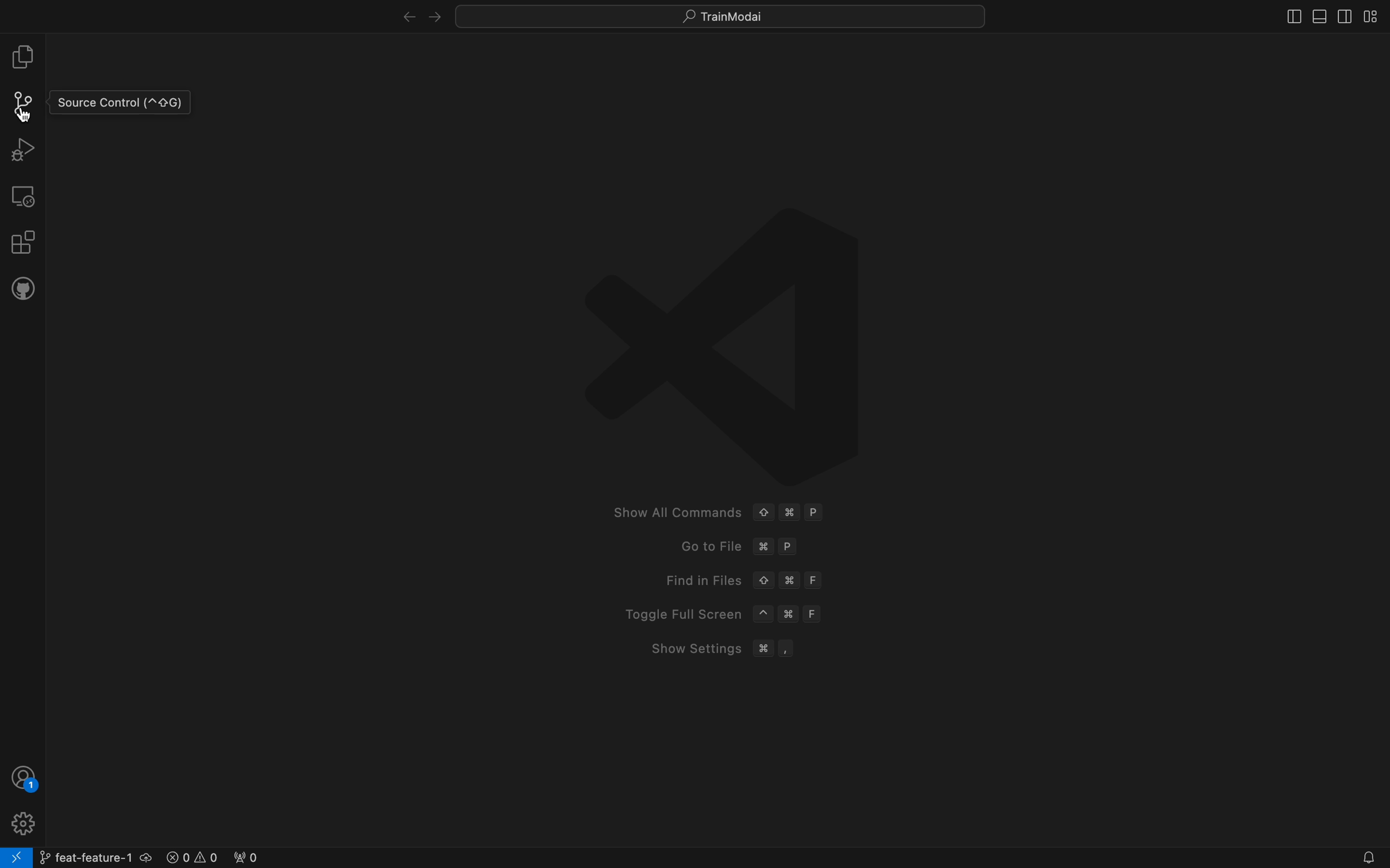 The width and height of the screenshot is (1390, 868). Describe the element at coordinates (723, 15) in the screenshot. I see `quick menus` at that location.